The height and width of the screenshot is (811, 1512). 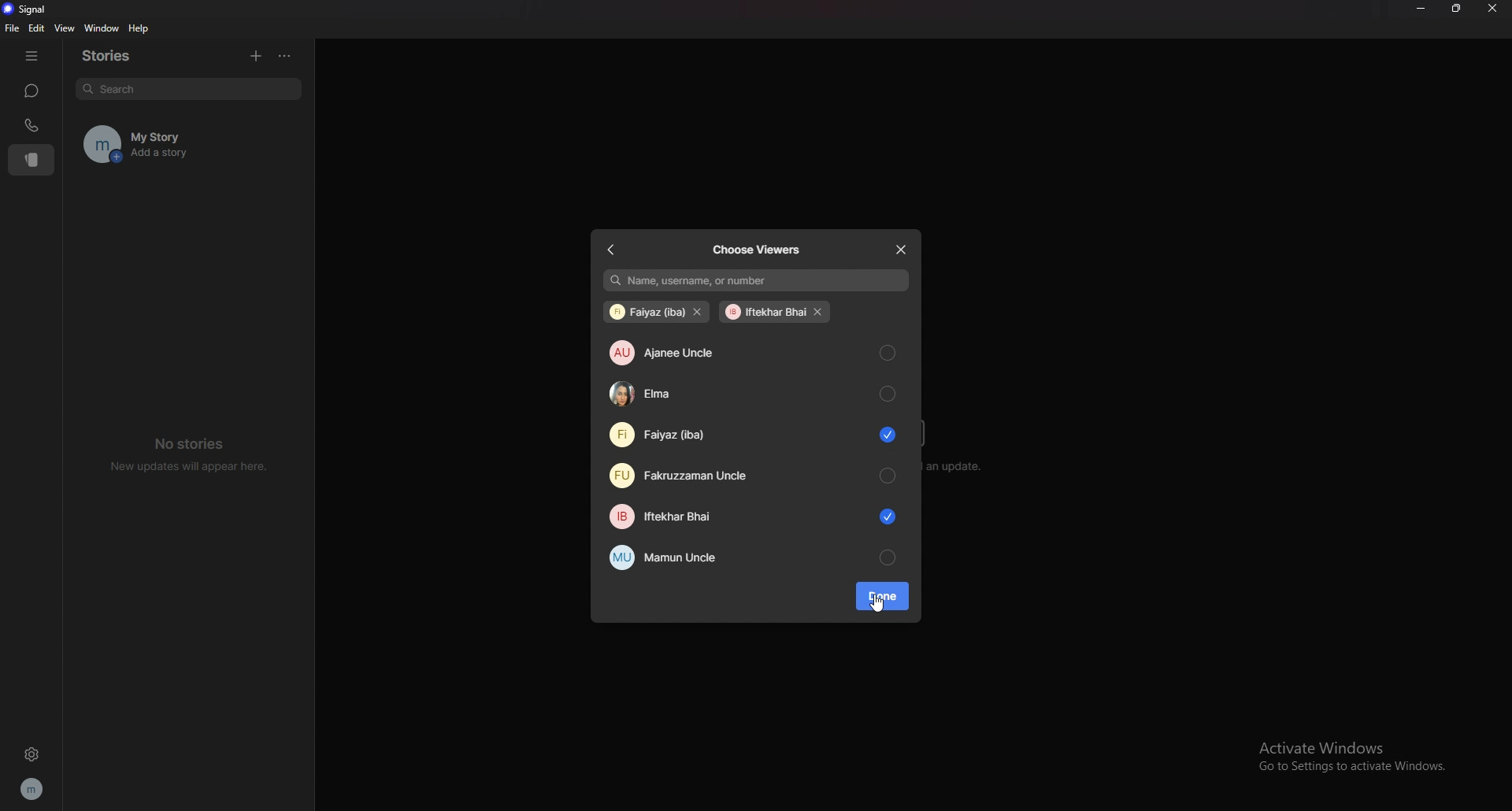 I want to click on close, so click(x=902, y=250).